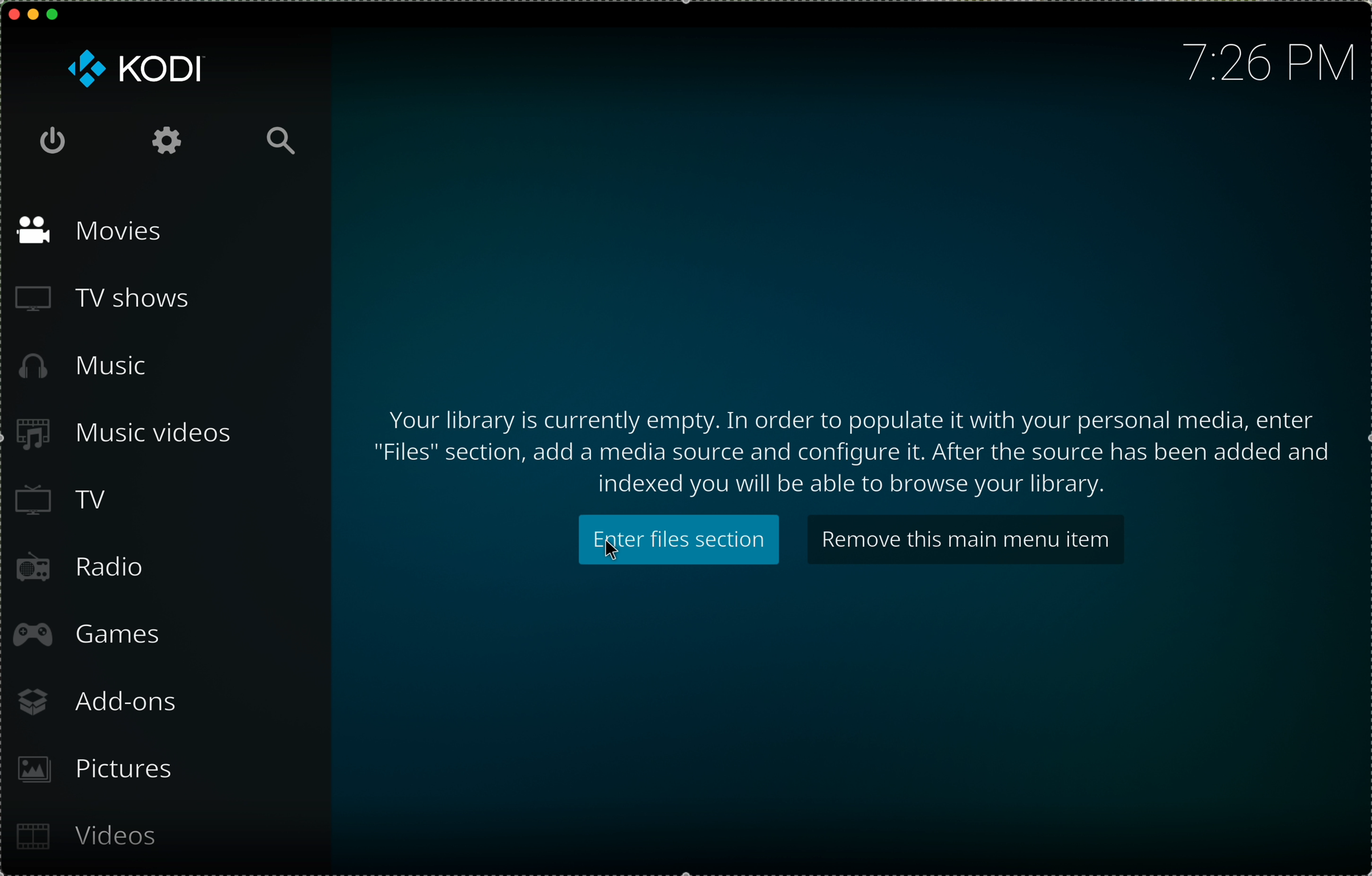  Describe the element at coordinates (851, 449) in the screenshot. I see `text` at that location.